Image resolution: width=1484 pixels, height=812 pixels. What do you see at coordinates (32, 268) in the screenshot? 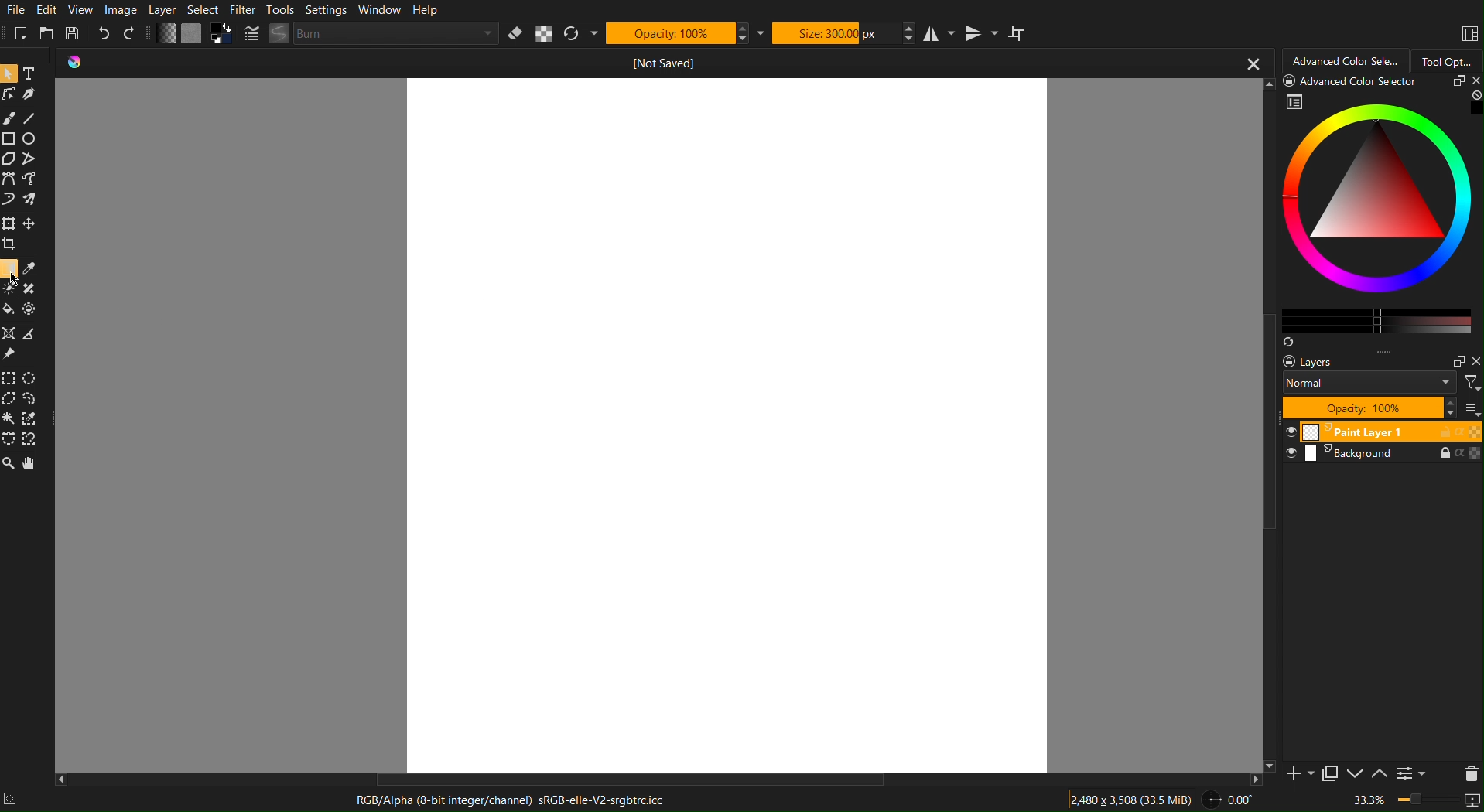
I see `Color Picker` at bounding box center [32, 268].